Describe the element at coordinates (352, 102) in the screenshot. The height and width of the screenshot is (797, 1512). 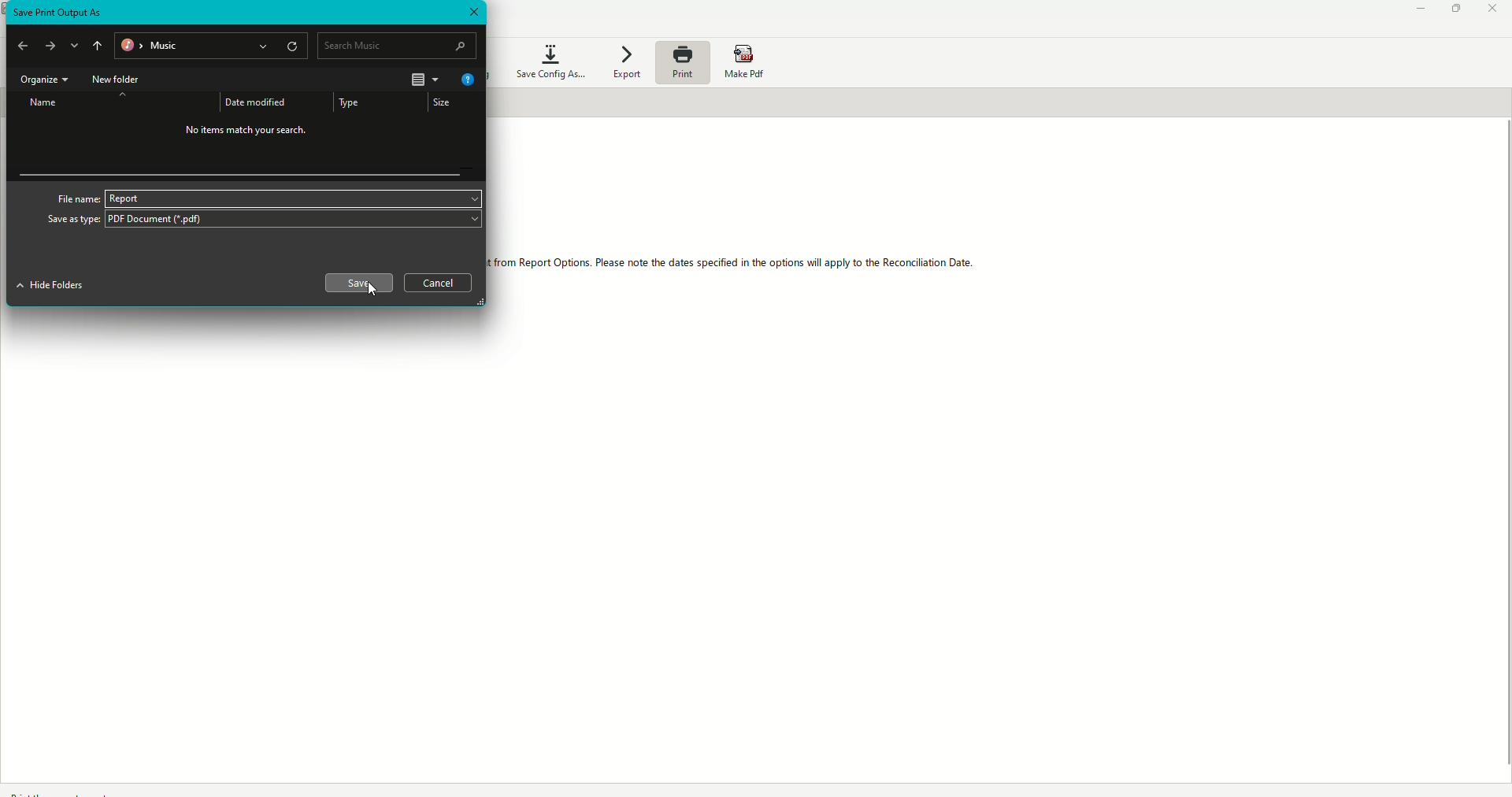
I see `Type` at that location.